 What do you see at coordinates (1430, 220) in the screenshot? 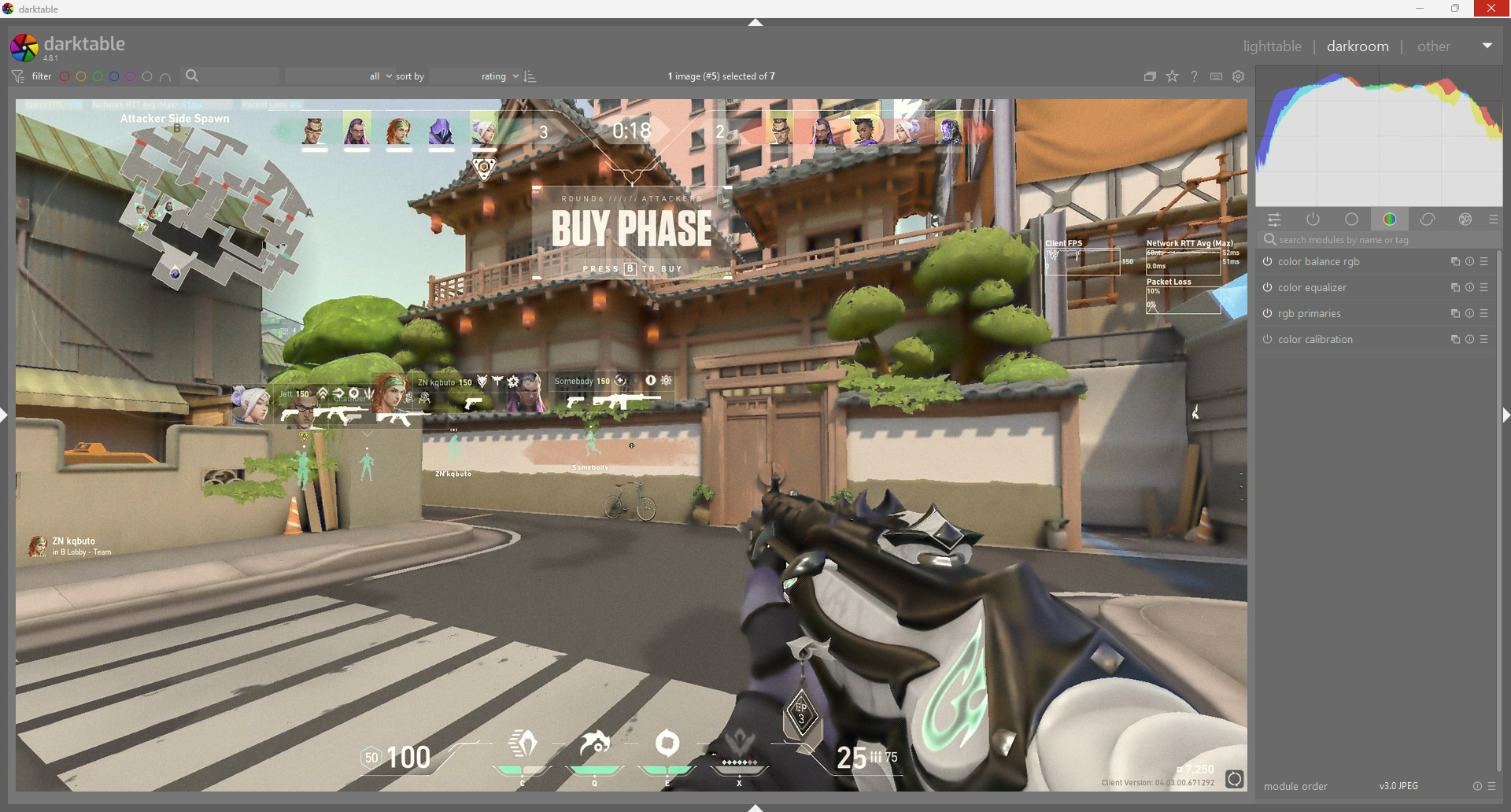
I see `correct` at bounding box center [1430, 220].